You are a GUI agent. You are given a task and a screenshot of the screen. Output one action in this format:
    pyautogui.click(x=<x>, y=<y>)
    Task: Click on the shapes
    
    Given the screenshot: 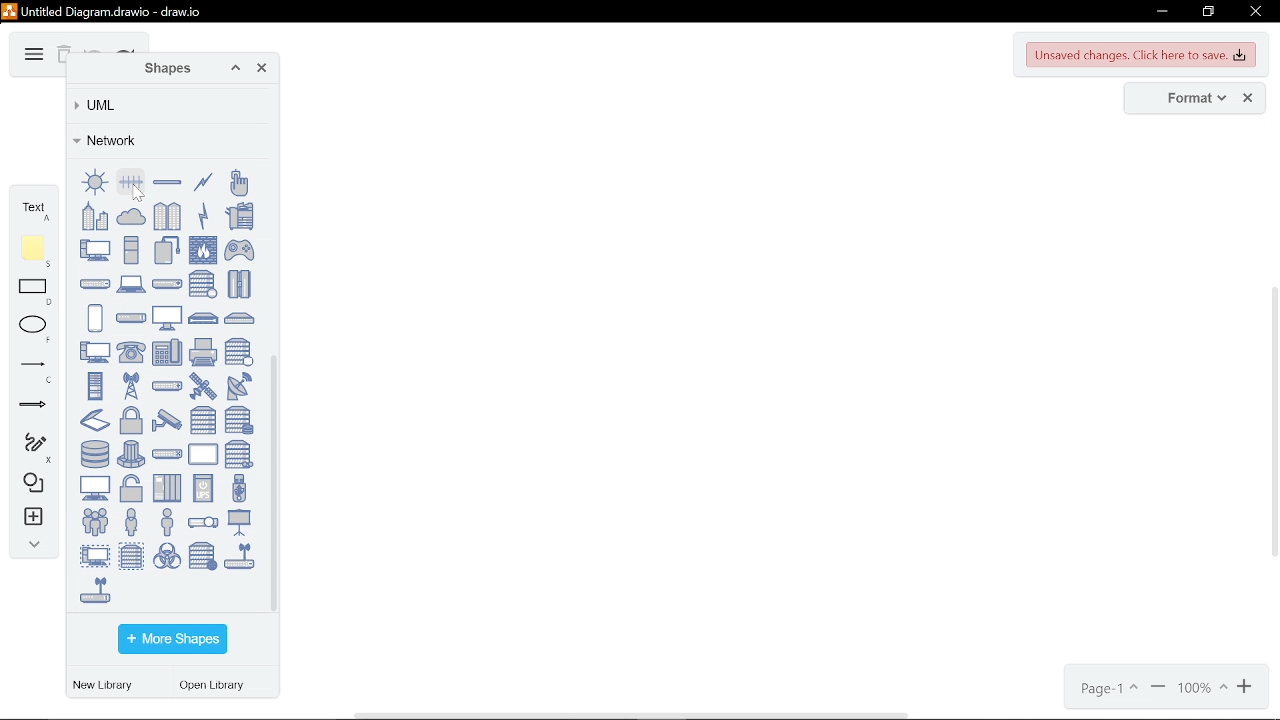 What is the action you would take?
    pyautogui.click(x=162, y=69)
    